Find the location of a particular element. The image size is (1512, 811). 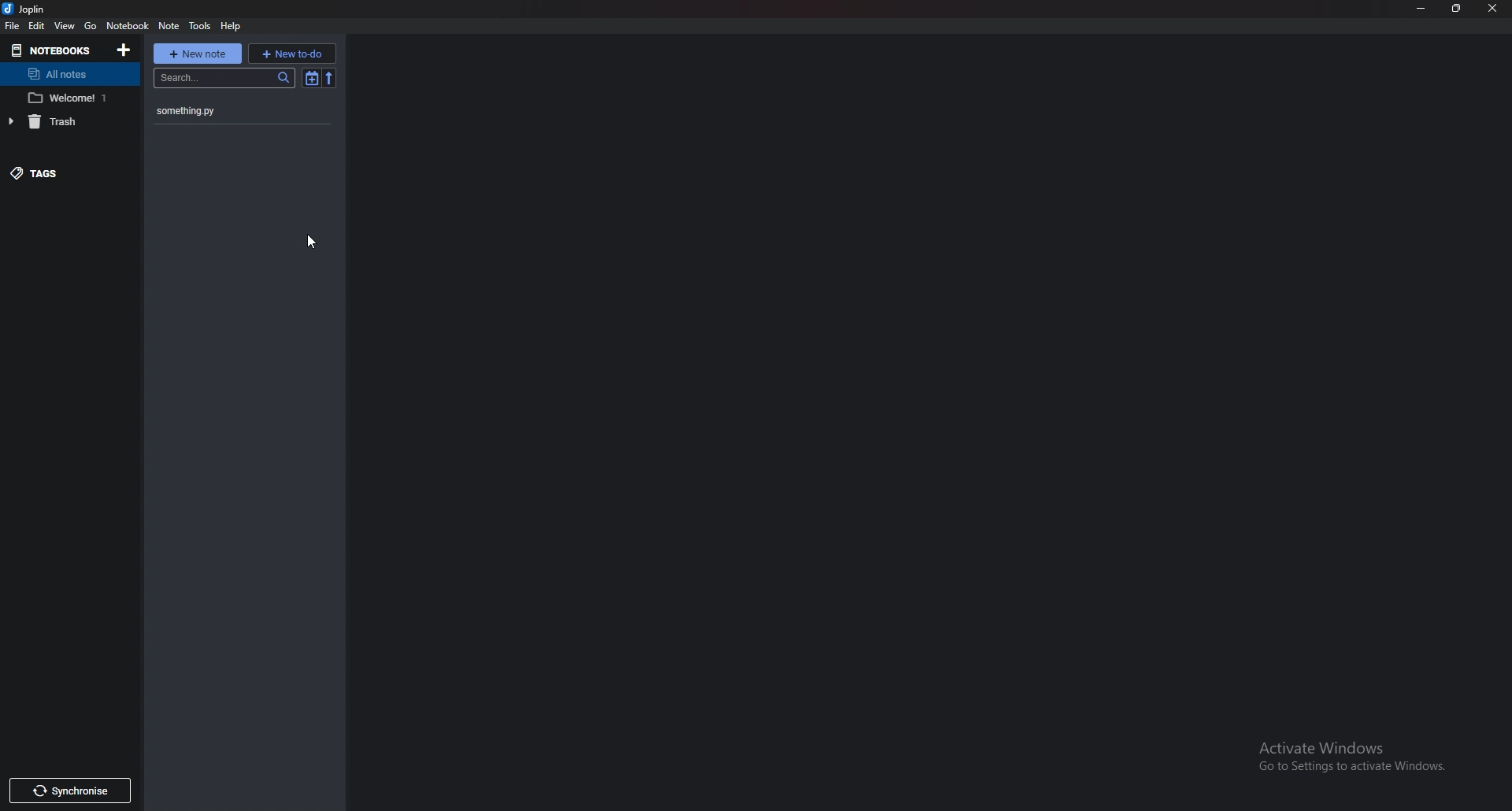

Minimize is located at coordinates (1421, 8).